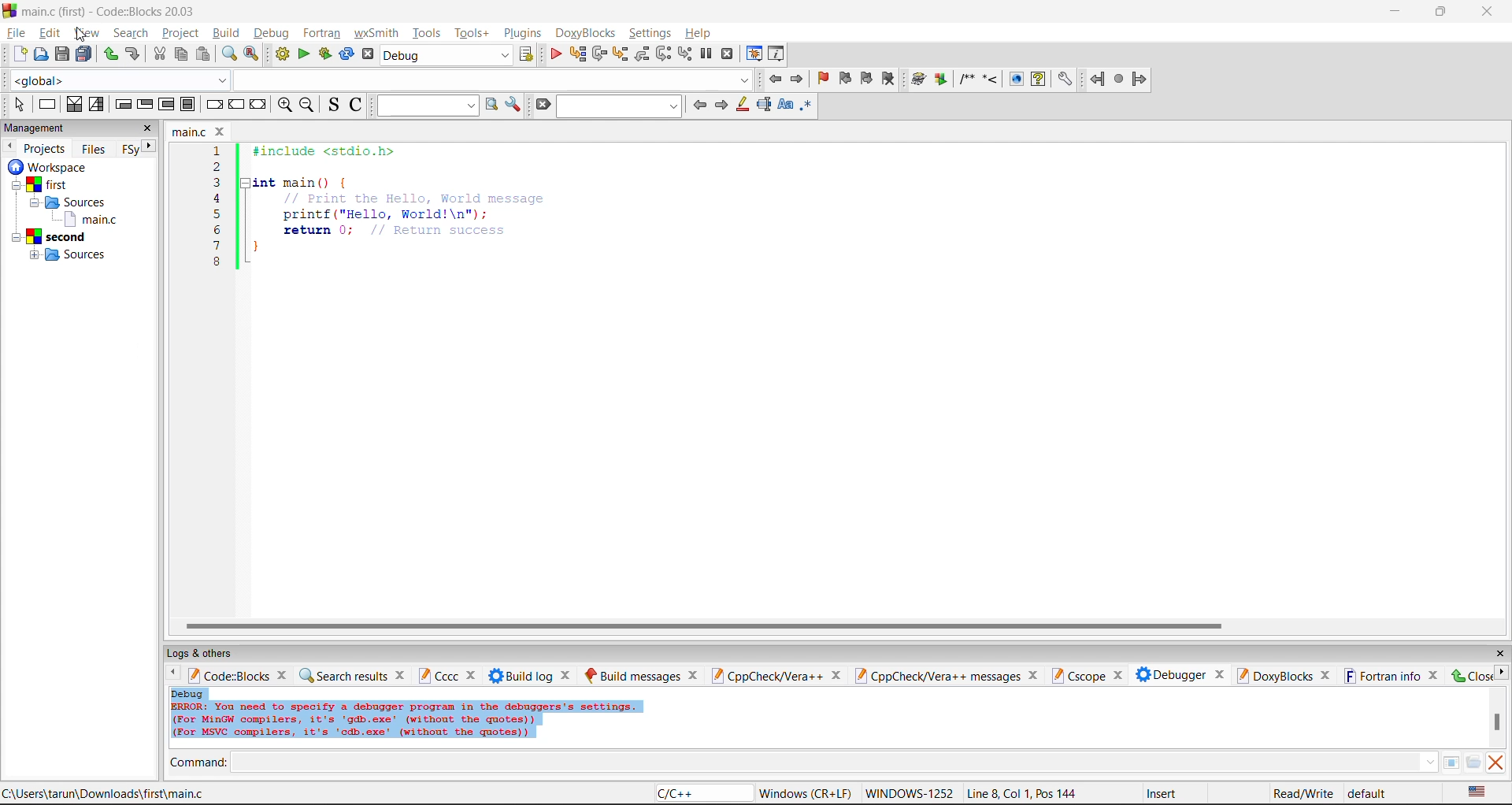 The image size is (1512, 805). Describe the element at coordinates (699, 33) in the screenshot. I see `help` at that location.